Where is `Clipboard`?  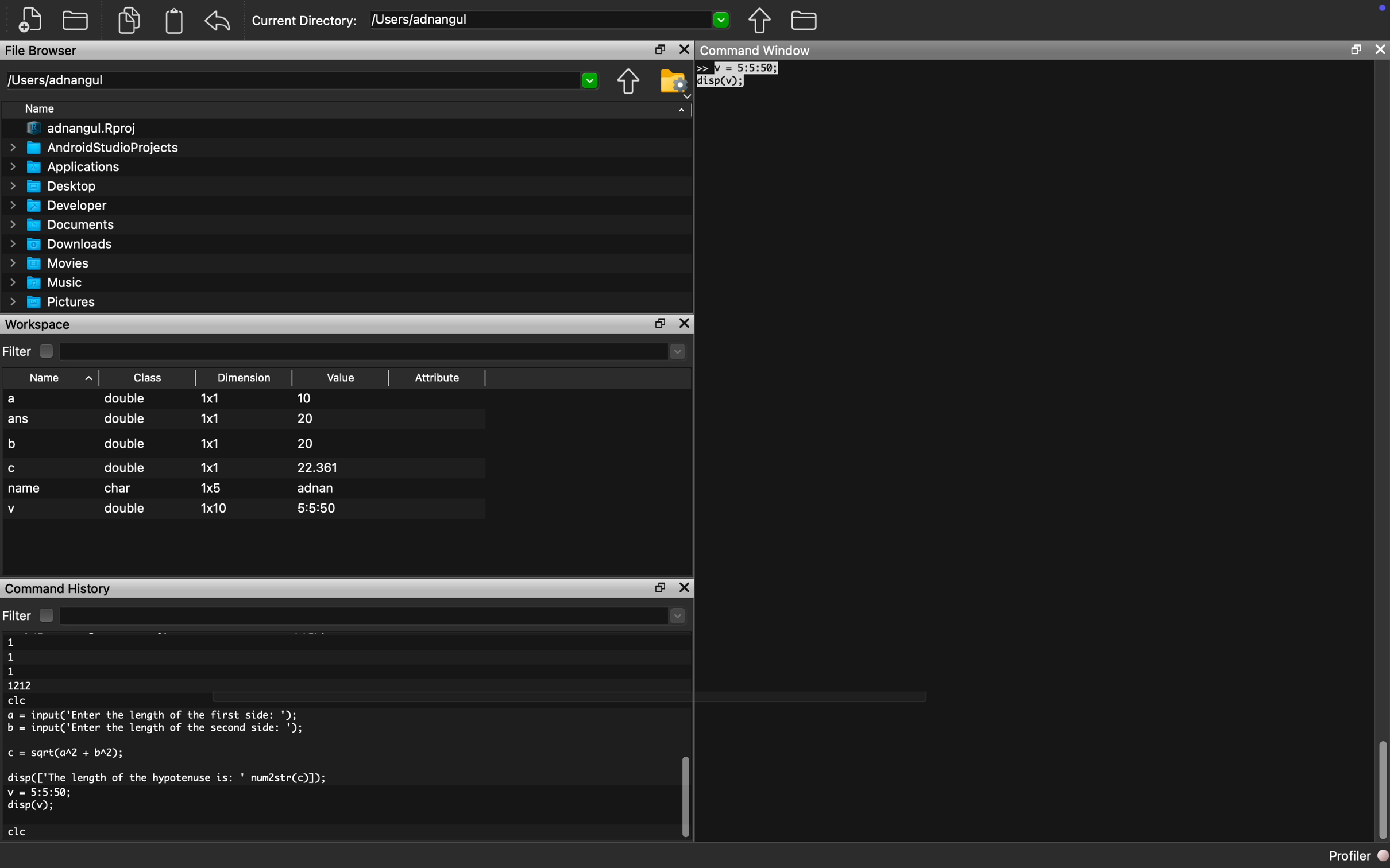 Clipboard is located at coordinates (173, 21).